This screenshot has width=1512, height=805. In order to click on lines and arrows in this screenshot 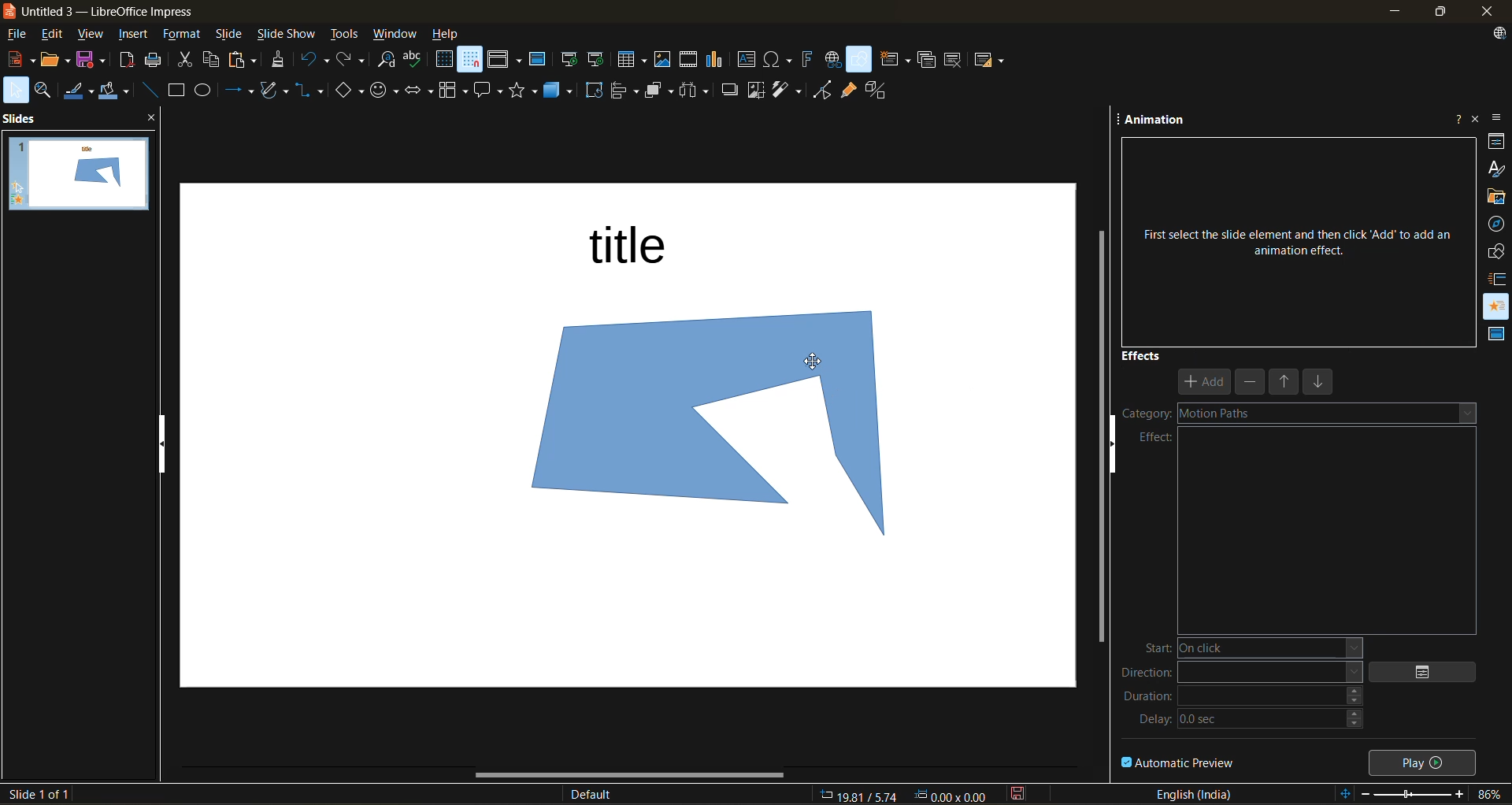, I will do `click(236, 91)`.